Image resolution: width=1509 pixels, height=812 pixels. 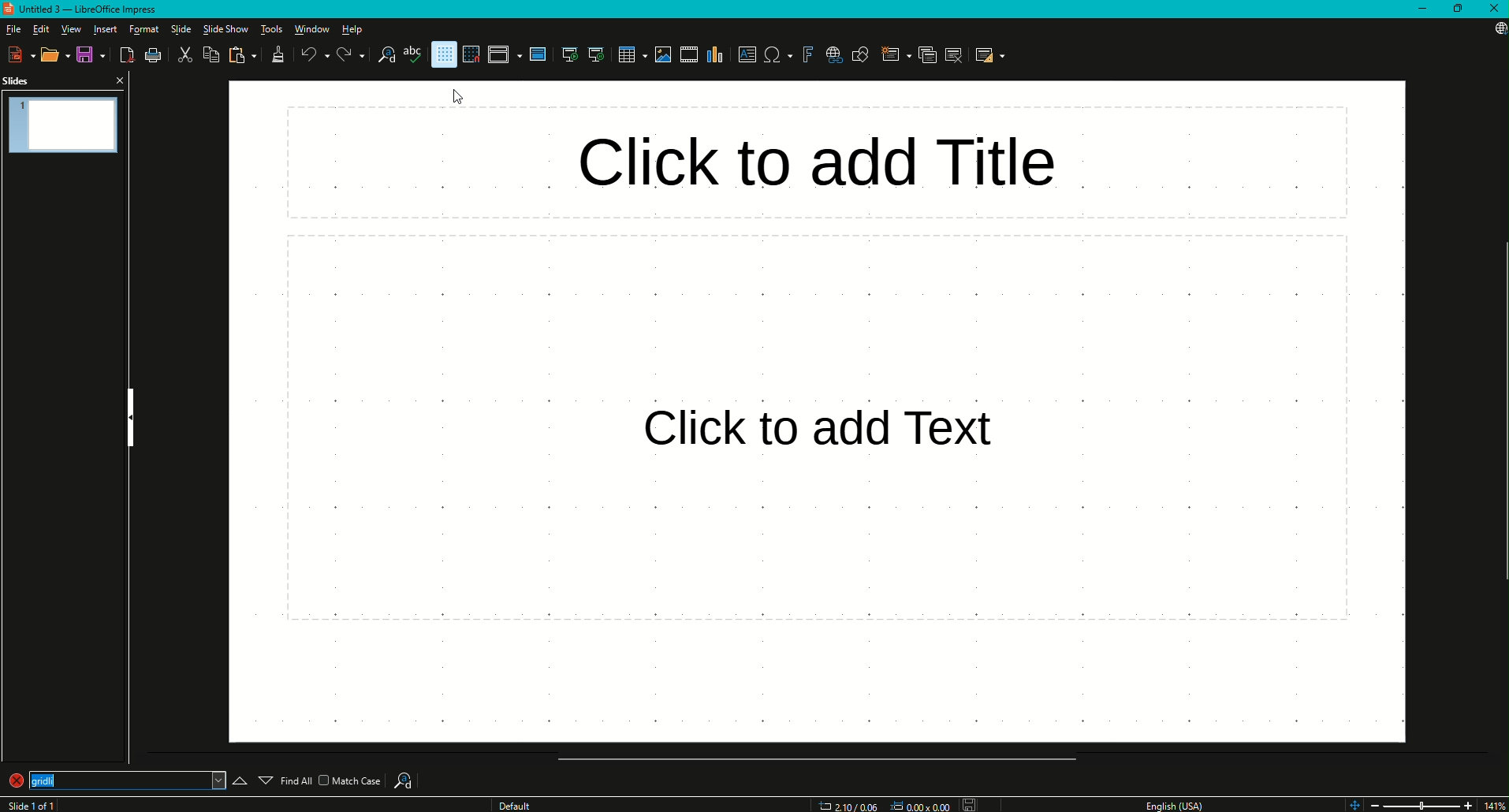 What do you see at coordinates (270, 28) in the screenshot?
I see `Tools` at bounding box center [270, 28].